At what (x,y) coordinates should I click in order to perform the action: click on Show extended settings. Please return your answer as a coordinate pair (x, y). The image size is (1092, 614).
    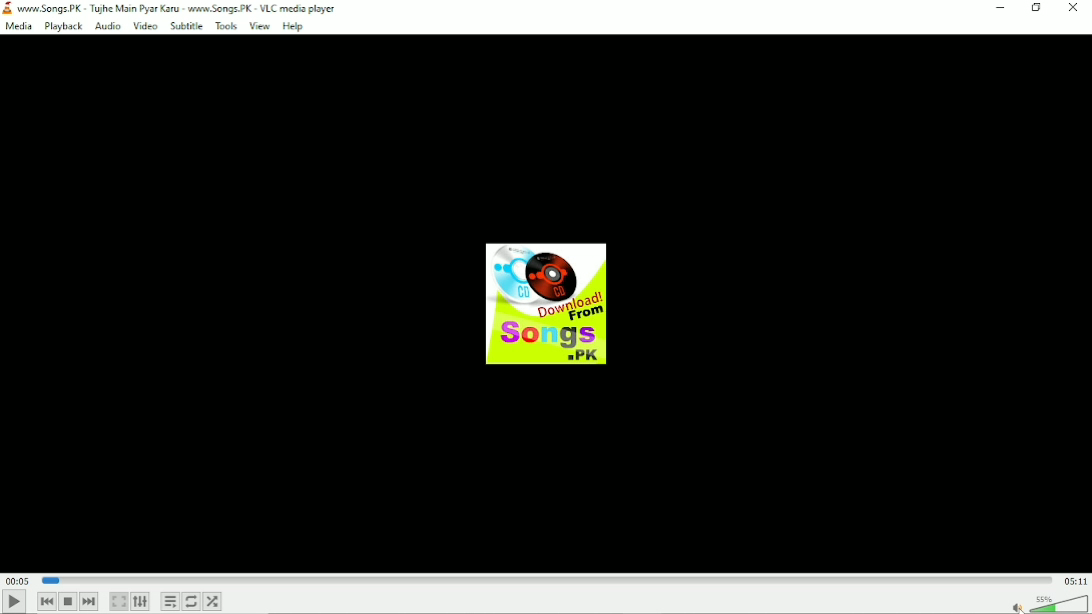
    Looking at the image, I should click on (140, 602).